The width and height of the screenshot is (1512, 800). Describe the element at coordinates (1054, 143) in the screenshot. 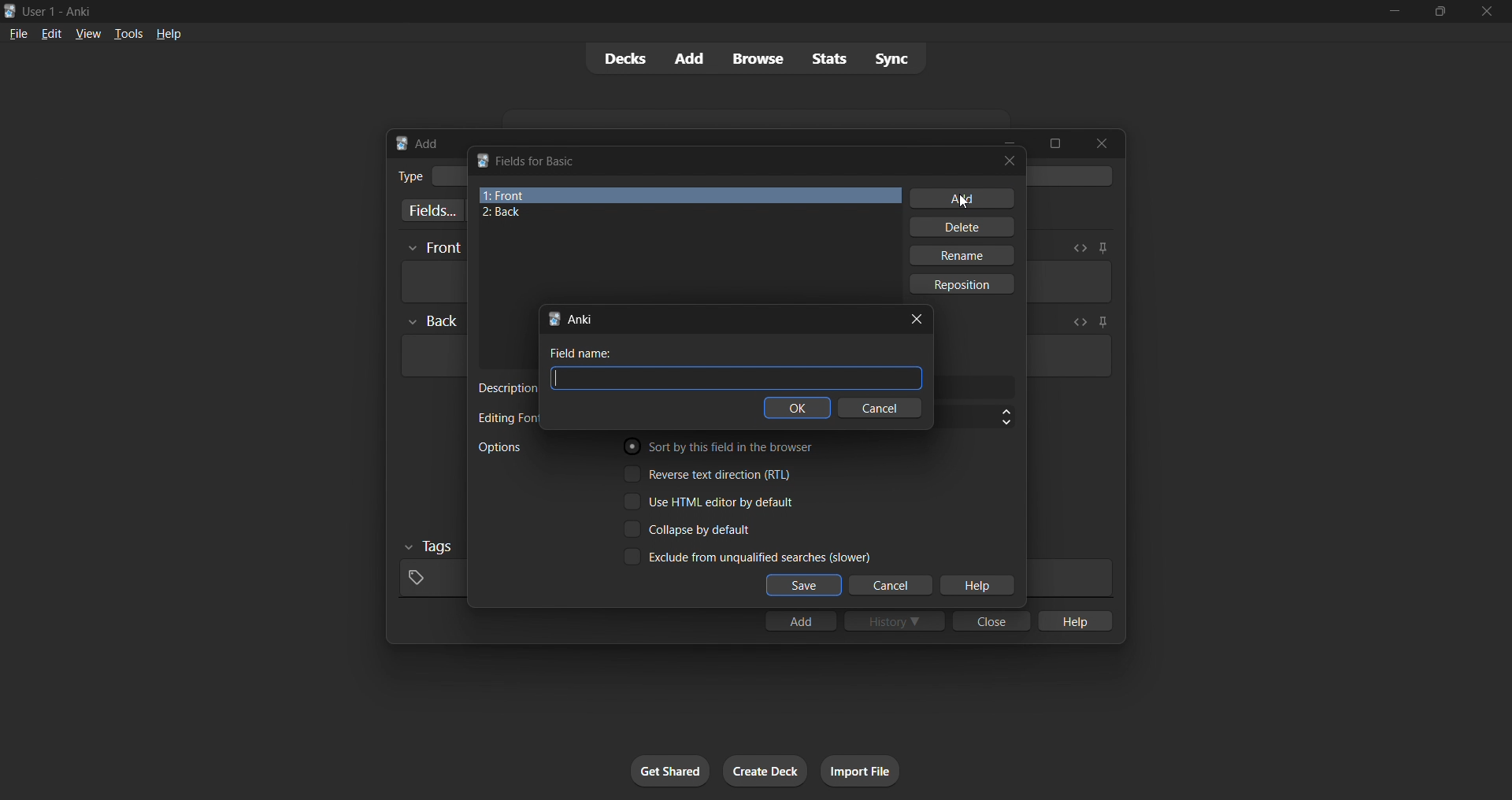

I see `maximize` at that location.